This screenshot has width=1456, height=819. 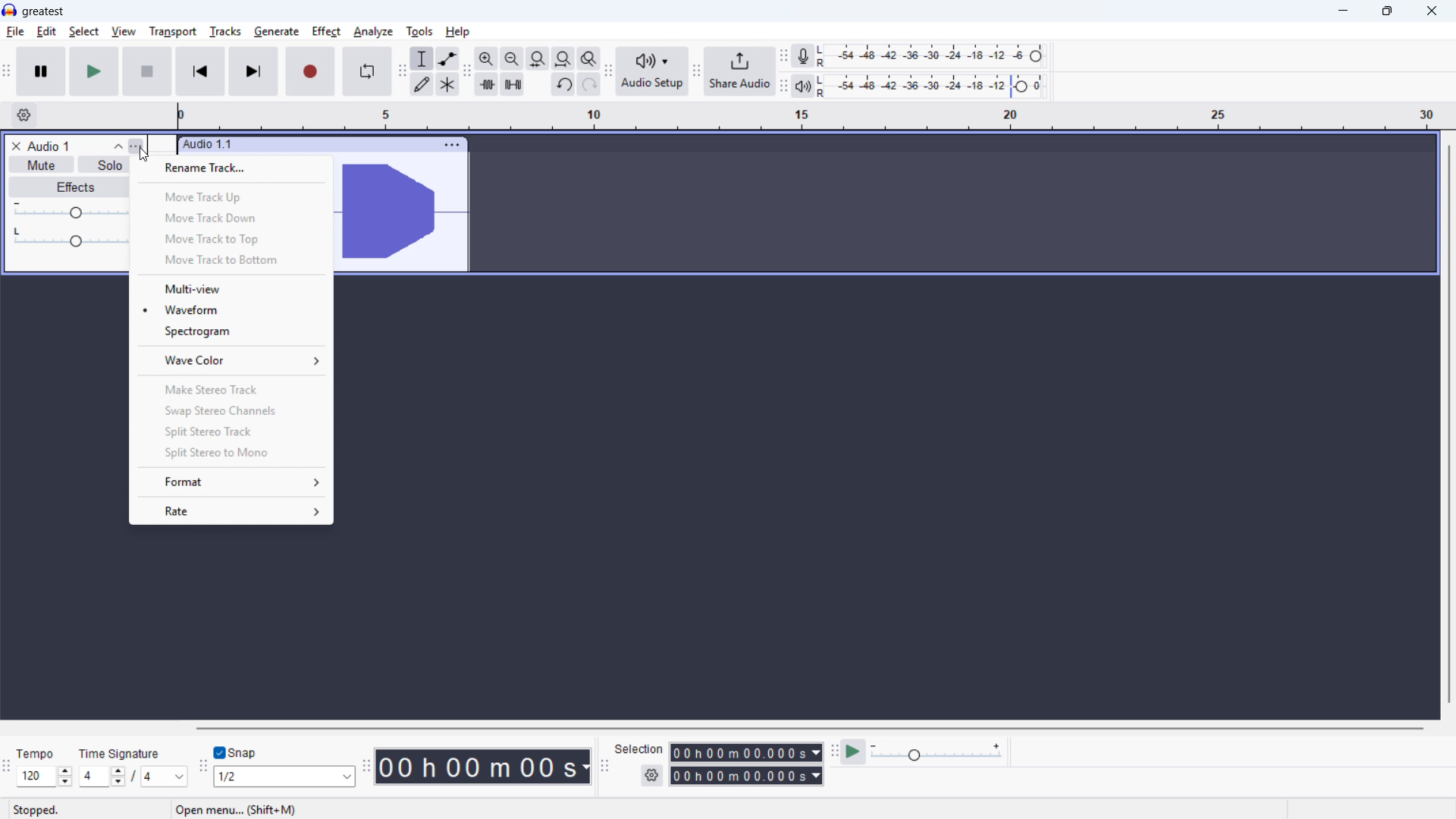 What do you see at coordinates (589, 59) in the screenshot?
I see `toggle zoom` at bounding box center [589, 59].